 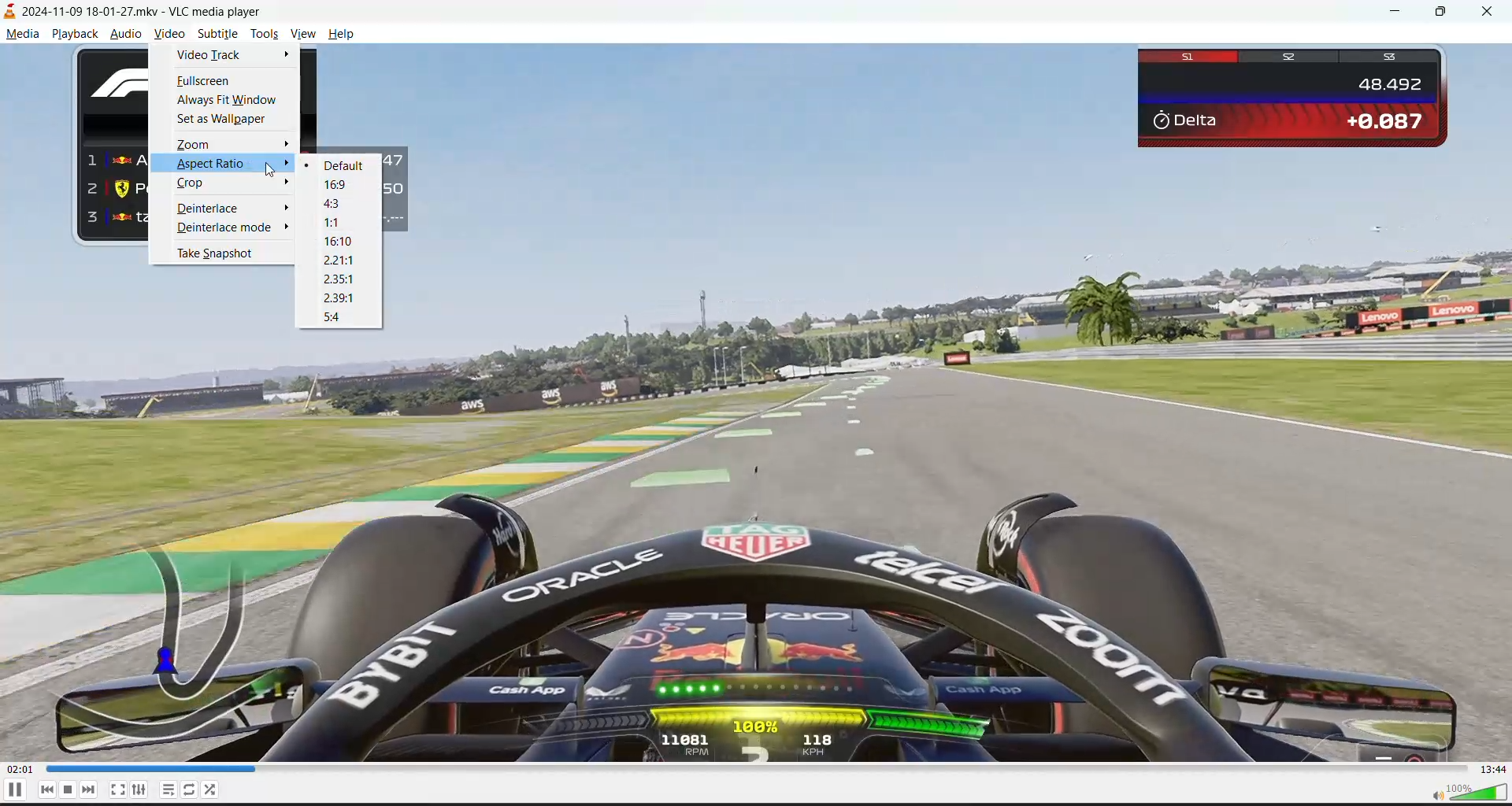 What do you see at coordinates (210, 209) in the screenshot?
I see `deinterlace` at bounding box center [210, 209].